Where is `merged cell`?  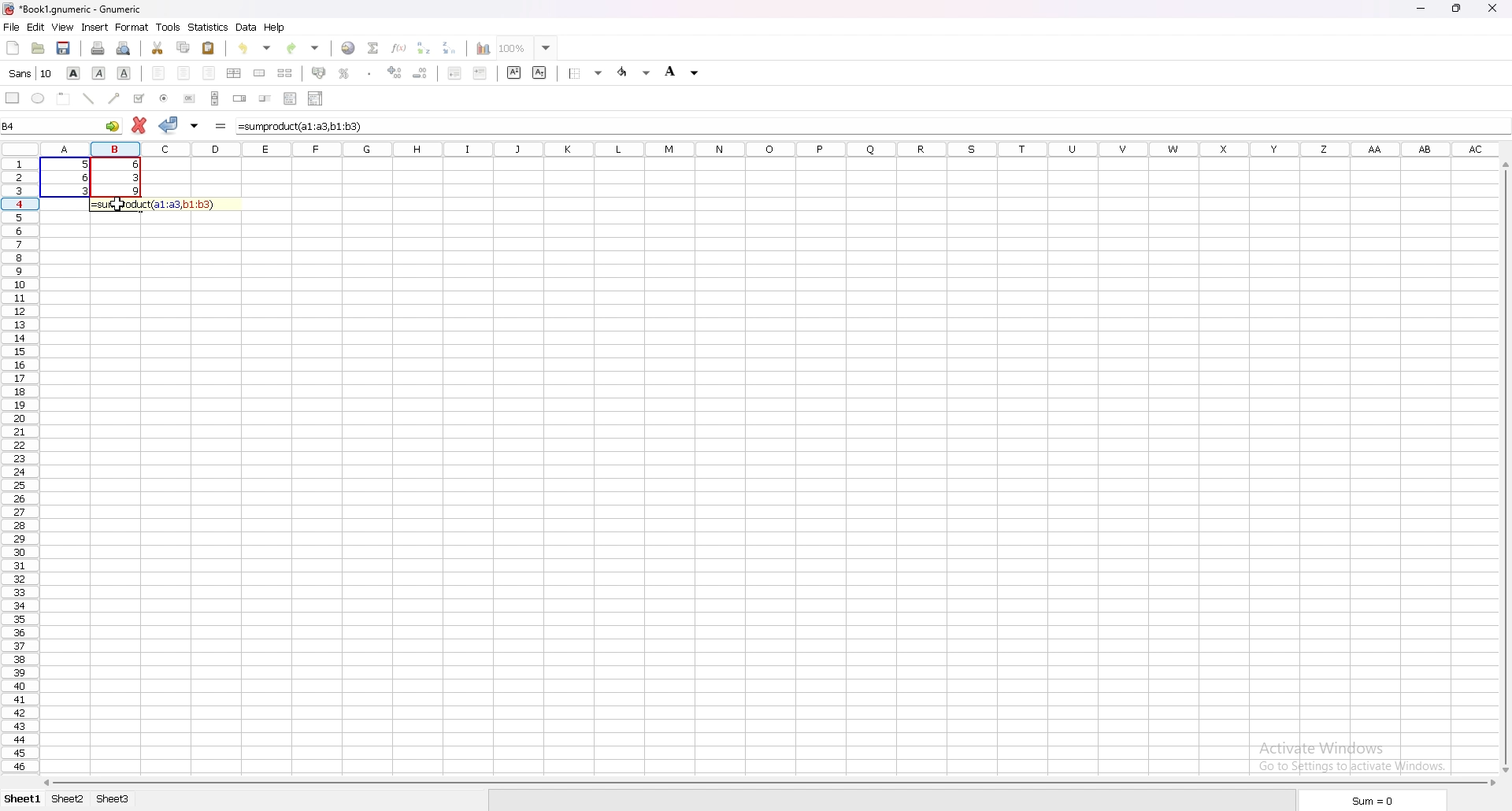
merged cell is located at coordinates (259, 73).